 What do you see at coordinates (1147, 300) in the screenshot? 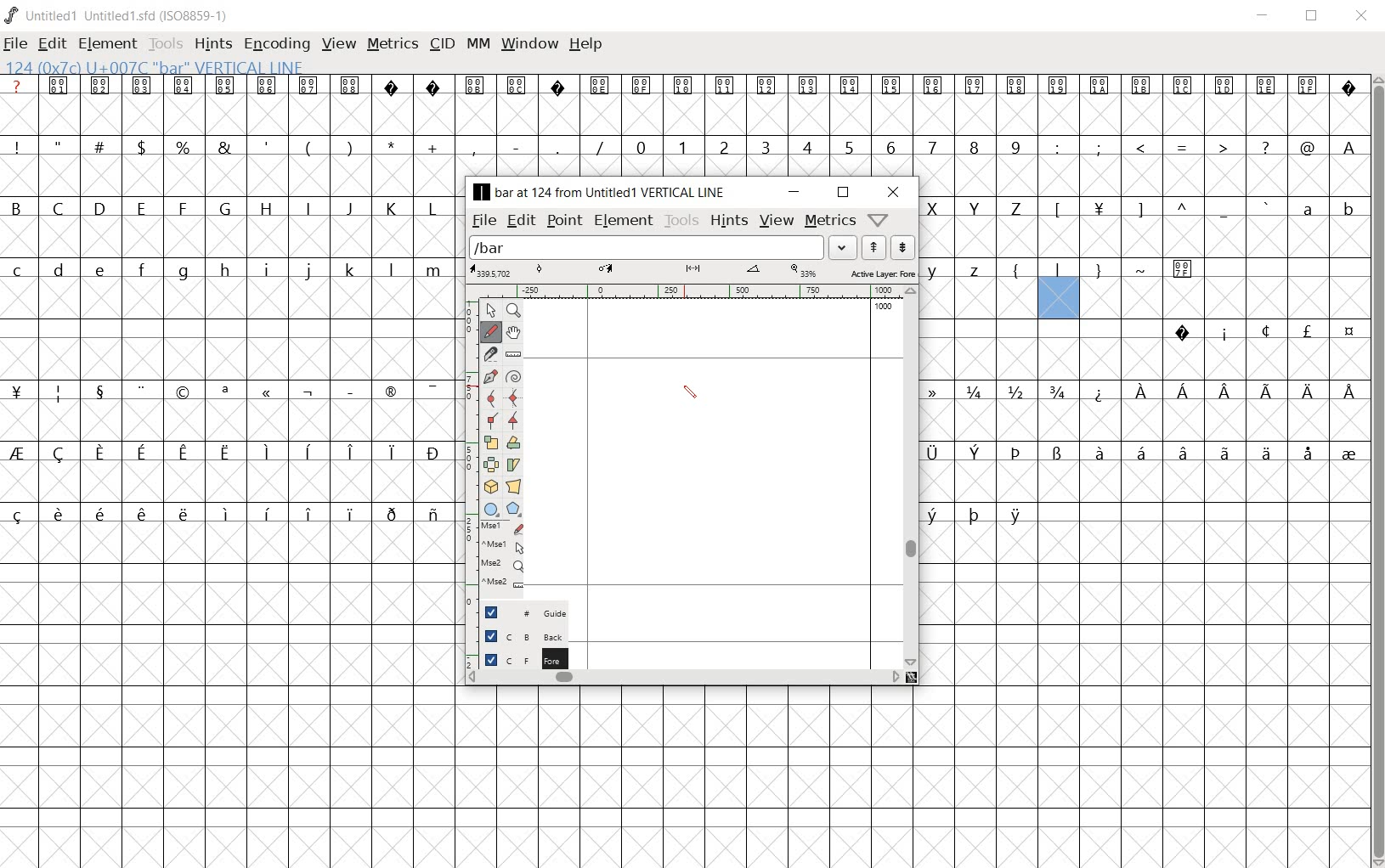
I see `empty cells` at bounding box center [1147, 300].